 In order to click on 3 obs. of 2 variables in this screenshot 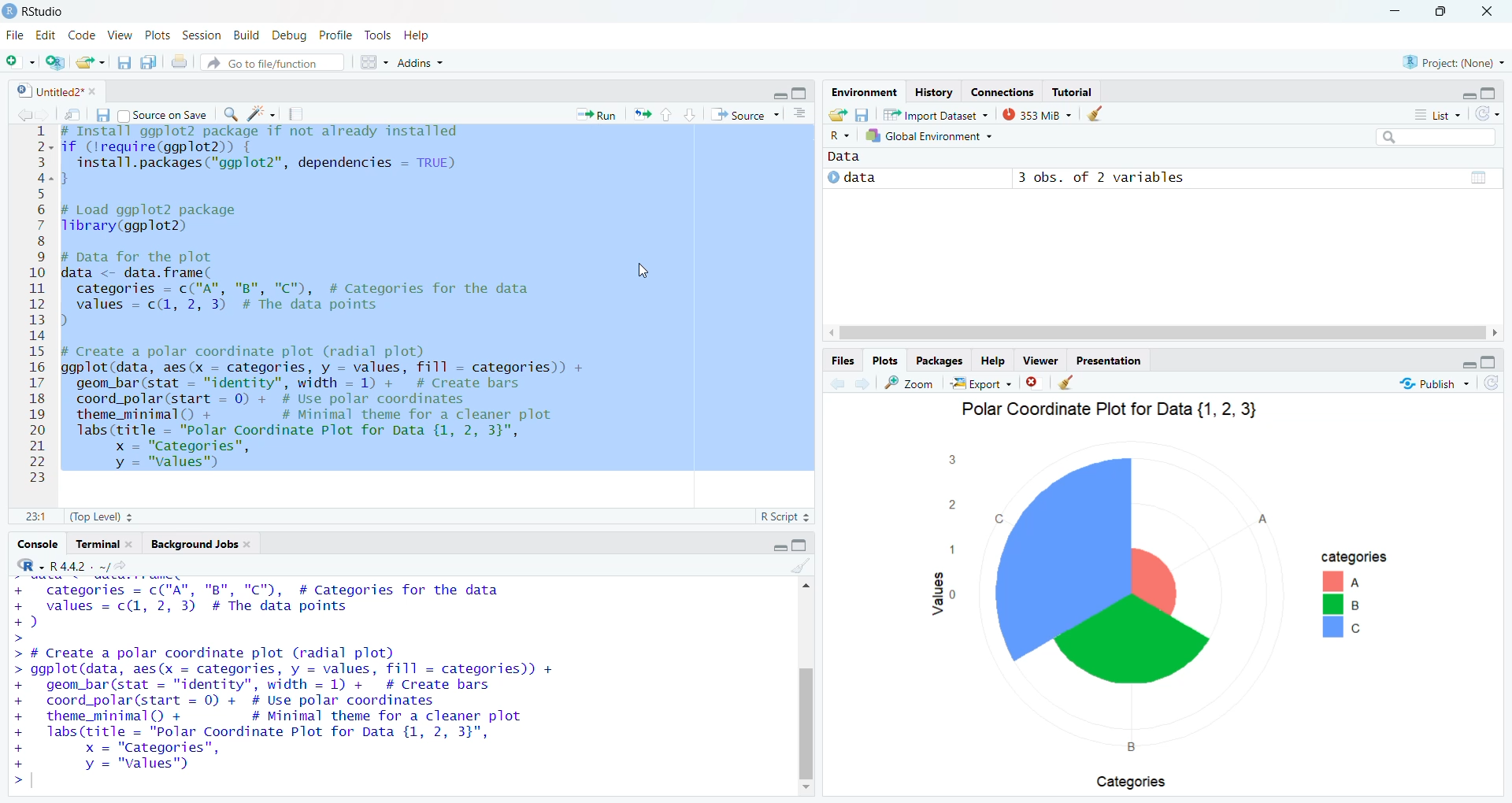, I will do `click(1102, 179)`.